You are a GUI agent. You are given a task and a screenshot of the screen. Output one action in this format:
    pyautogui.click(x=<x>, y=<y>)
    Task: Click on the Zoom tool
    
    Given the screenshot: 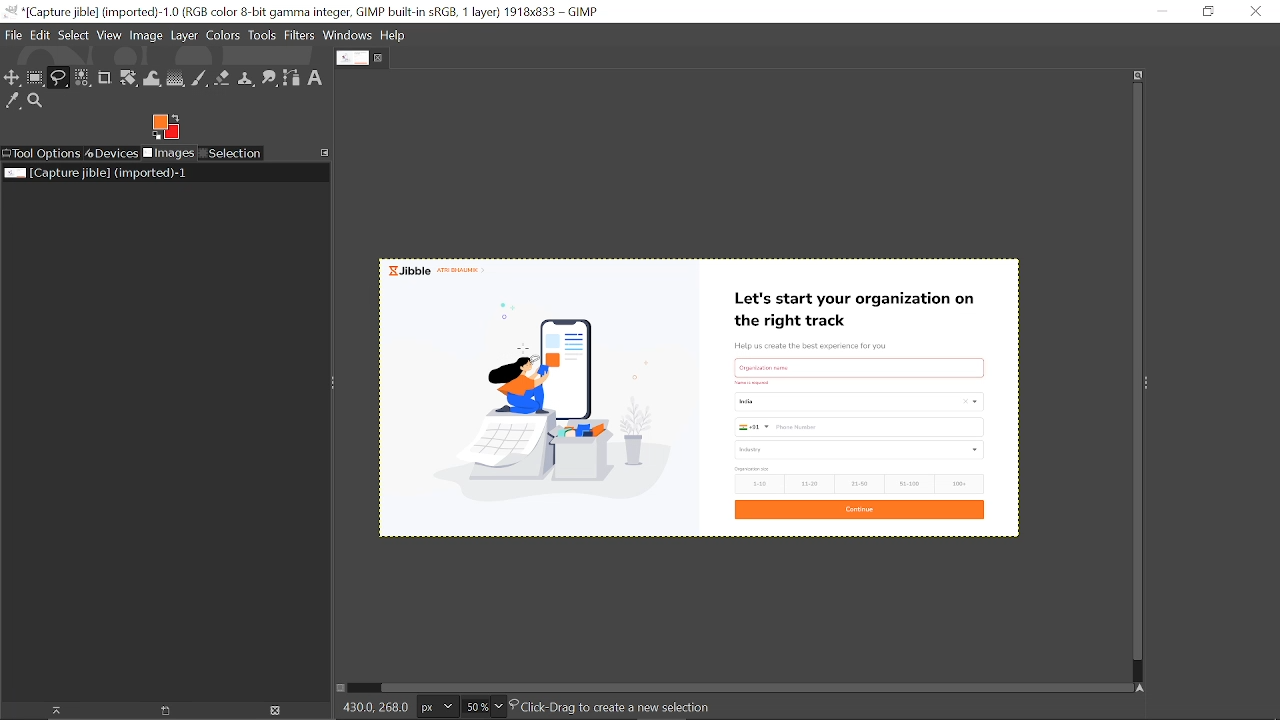 What is the action you would take?
    pyautogui.click(x=38, y=103)
    